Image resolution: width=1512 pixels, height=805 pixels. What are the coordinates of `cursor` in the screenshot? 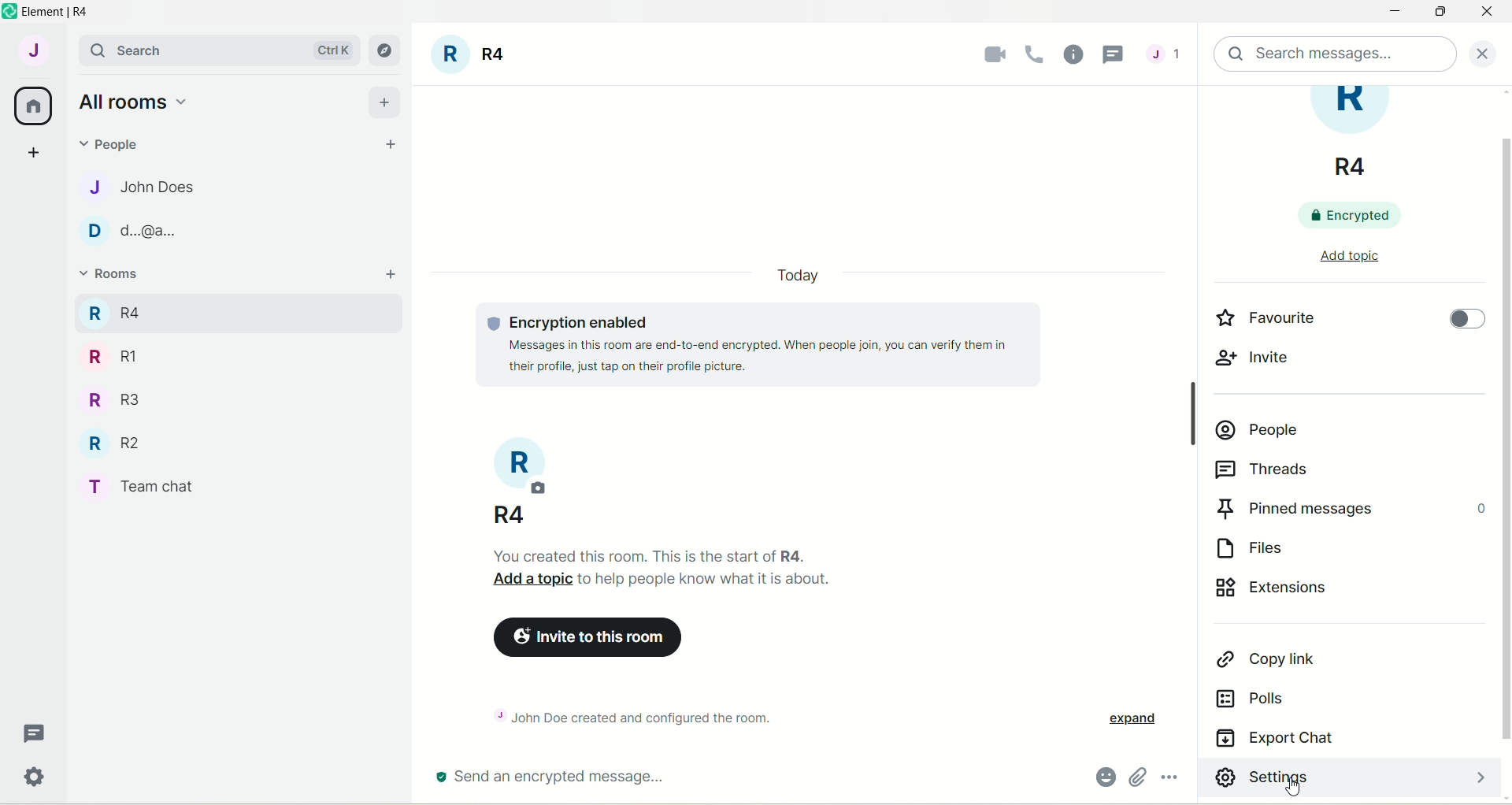 It's located at (1116, 55).